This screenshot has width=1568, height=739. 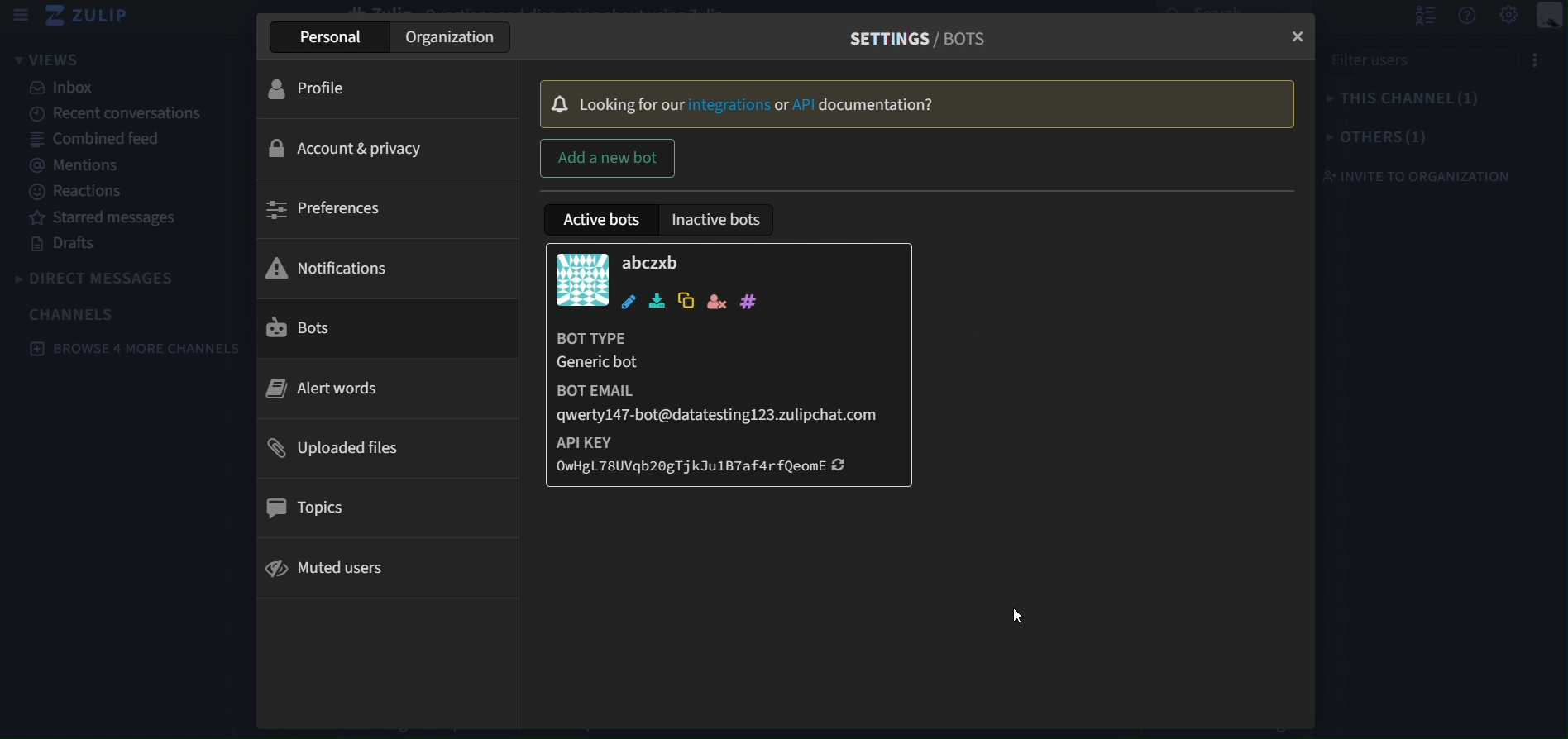 I want to click on invite to organization, so click(x=1419, y=176).